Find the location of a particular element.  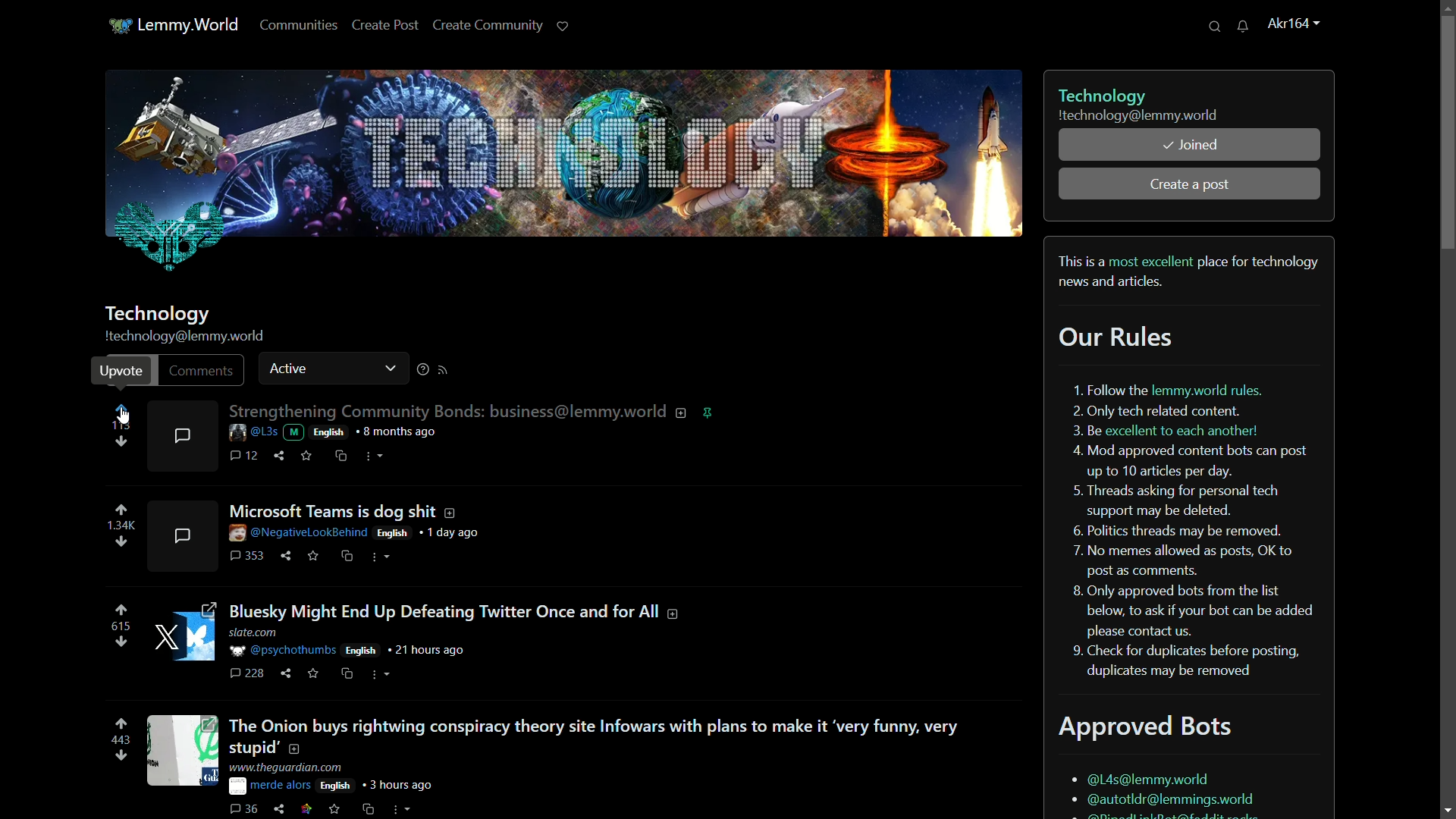

profile name is located at coordinates (190, 339).